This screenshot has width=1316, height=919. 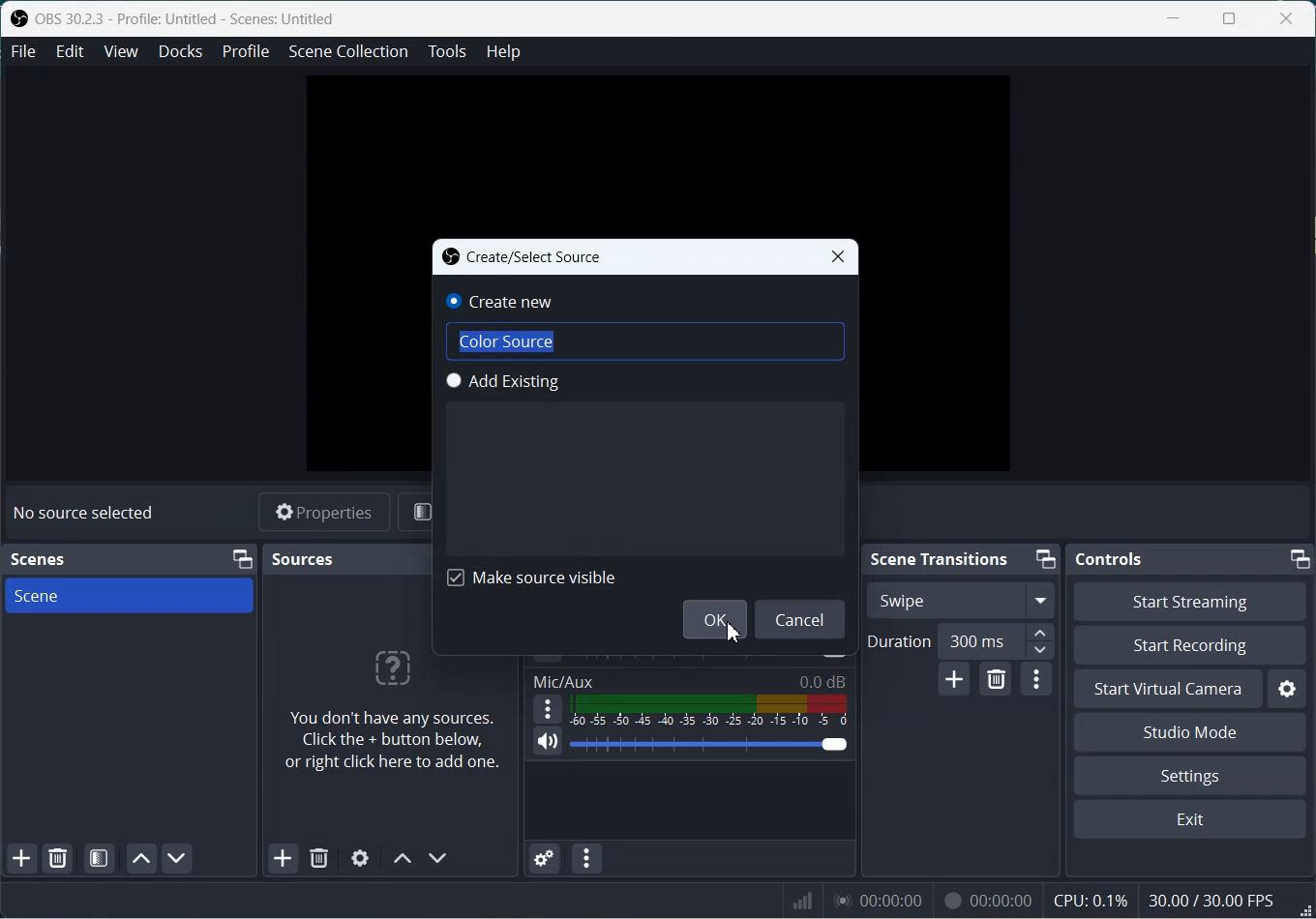 I want to click on Tools, so click(x=448, y=51).